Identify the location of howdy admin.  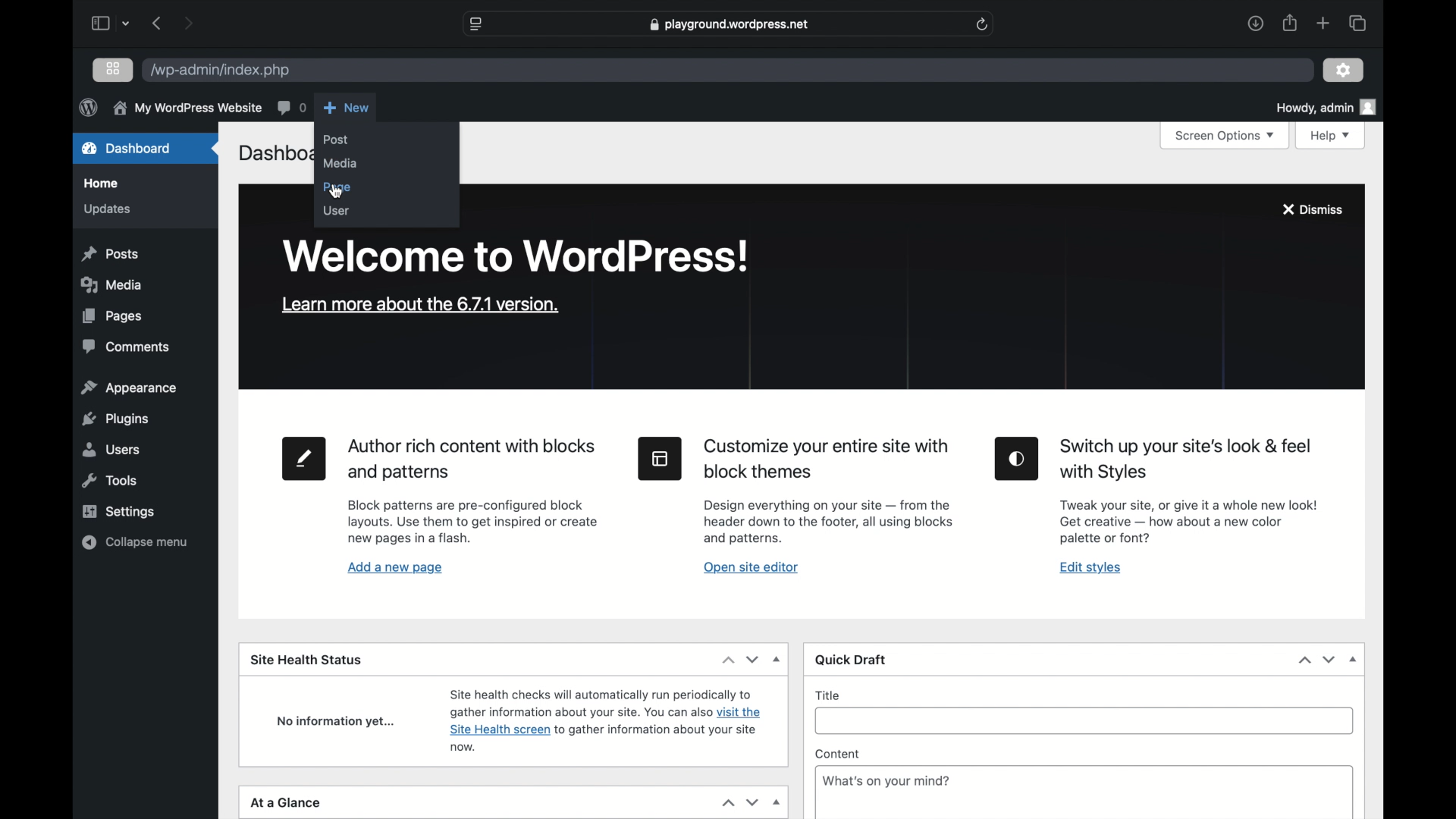
(1329, 107).